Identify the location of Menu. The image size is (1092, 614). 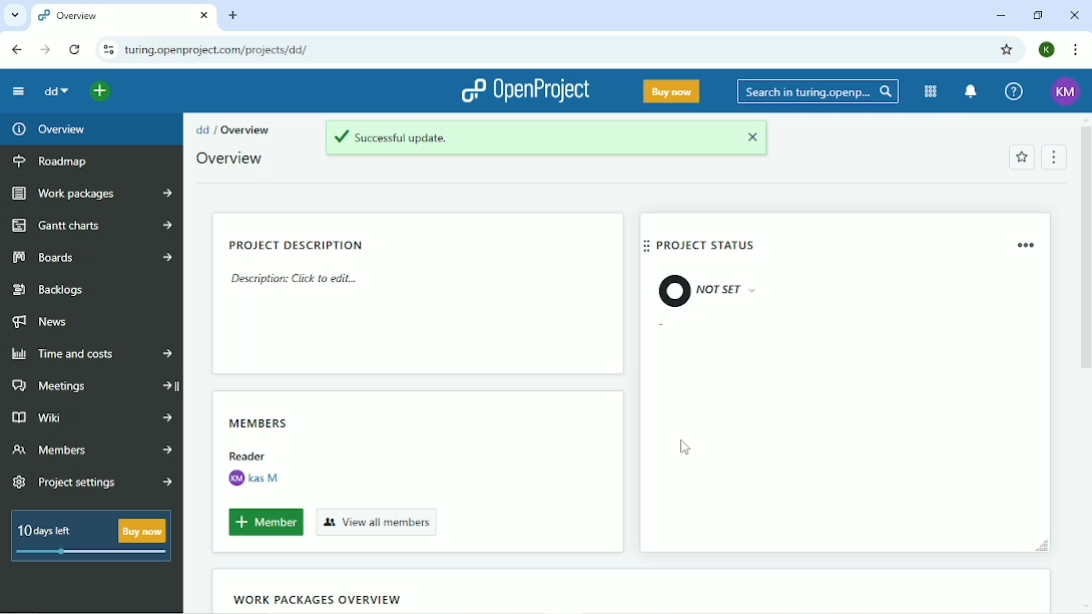
(1052, 158).